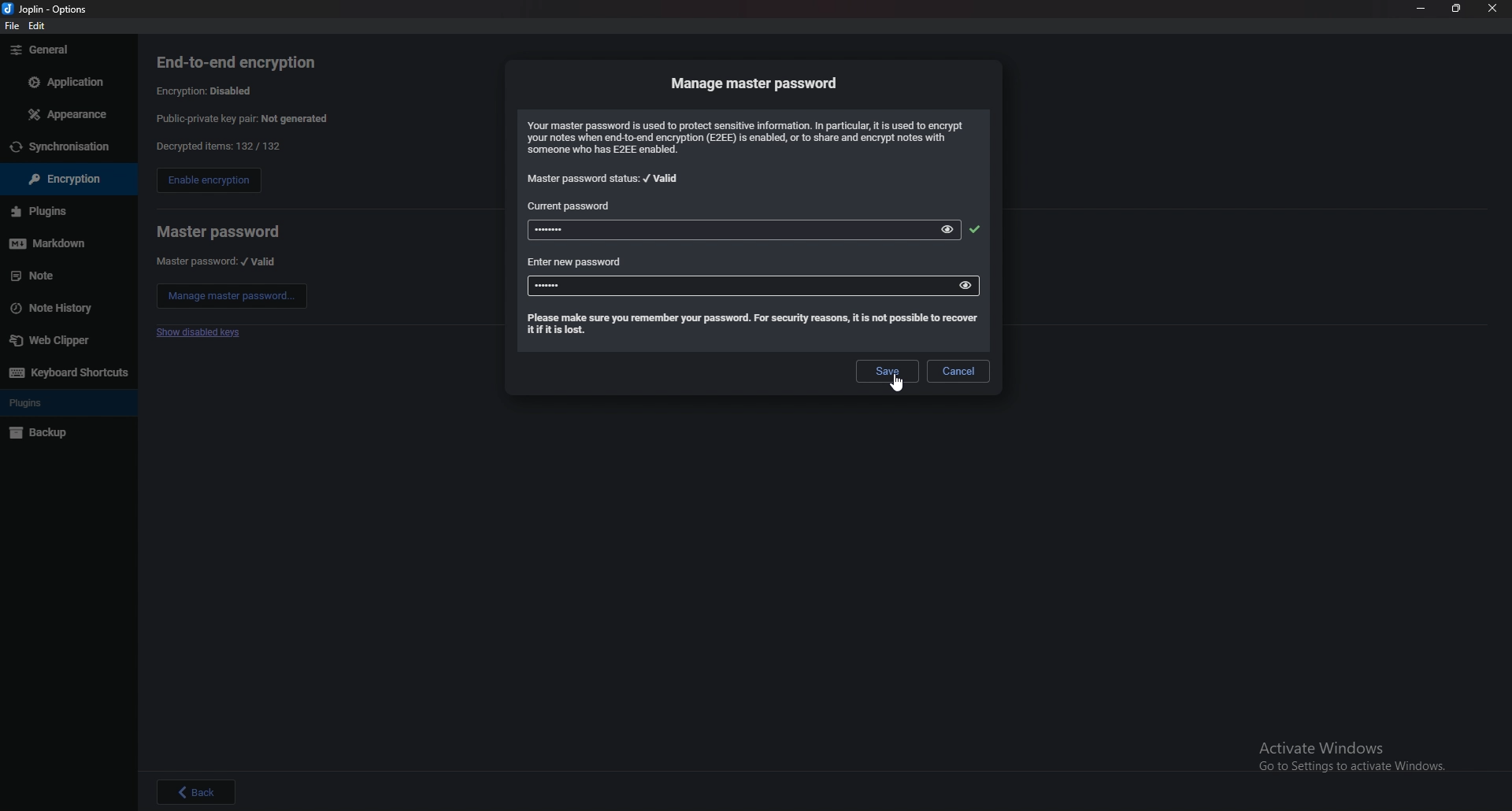 This screenshot has height=811, width=1512. I want to click on sync, so click(67, 147).